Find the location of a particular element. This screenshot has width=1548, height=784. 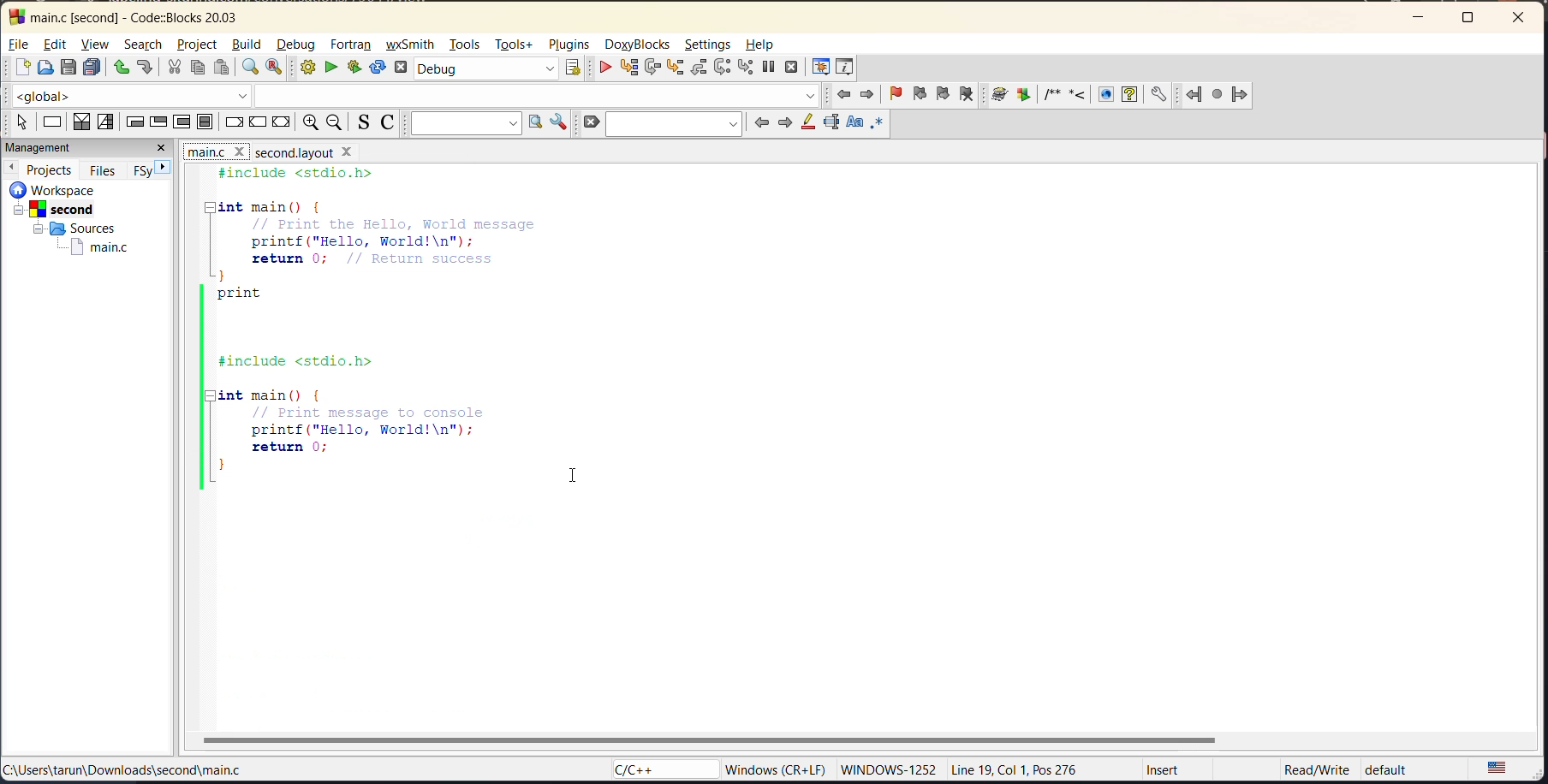

step out is located at coordinates (696, 69).